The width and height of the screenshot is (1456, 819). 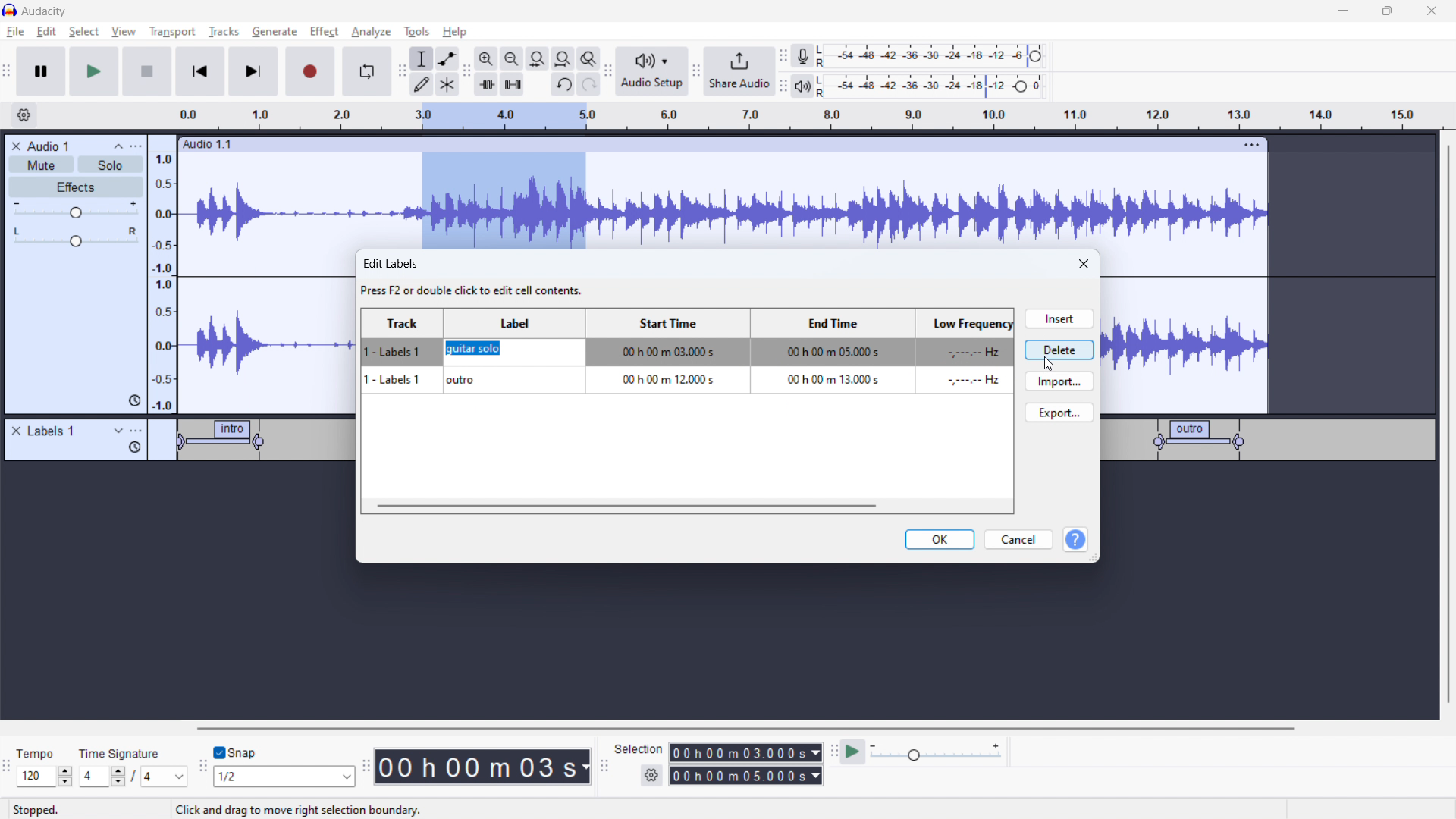 I want to click on snapping toolbar, so click(x=203, y=768).